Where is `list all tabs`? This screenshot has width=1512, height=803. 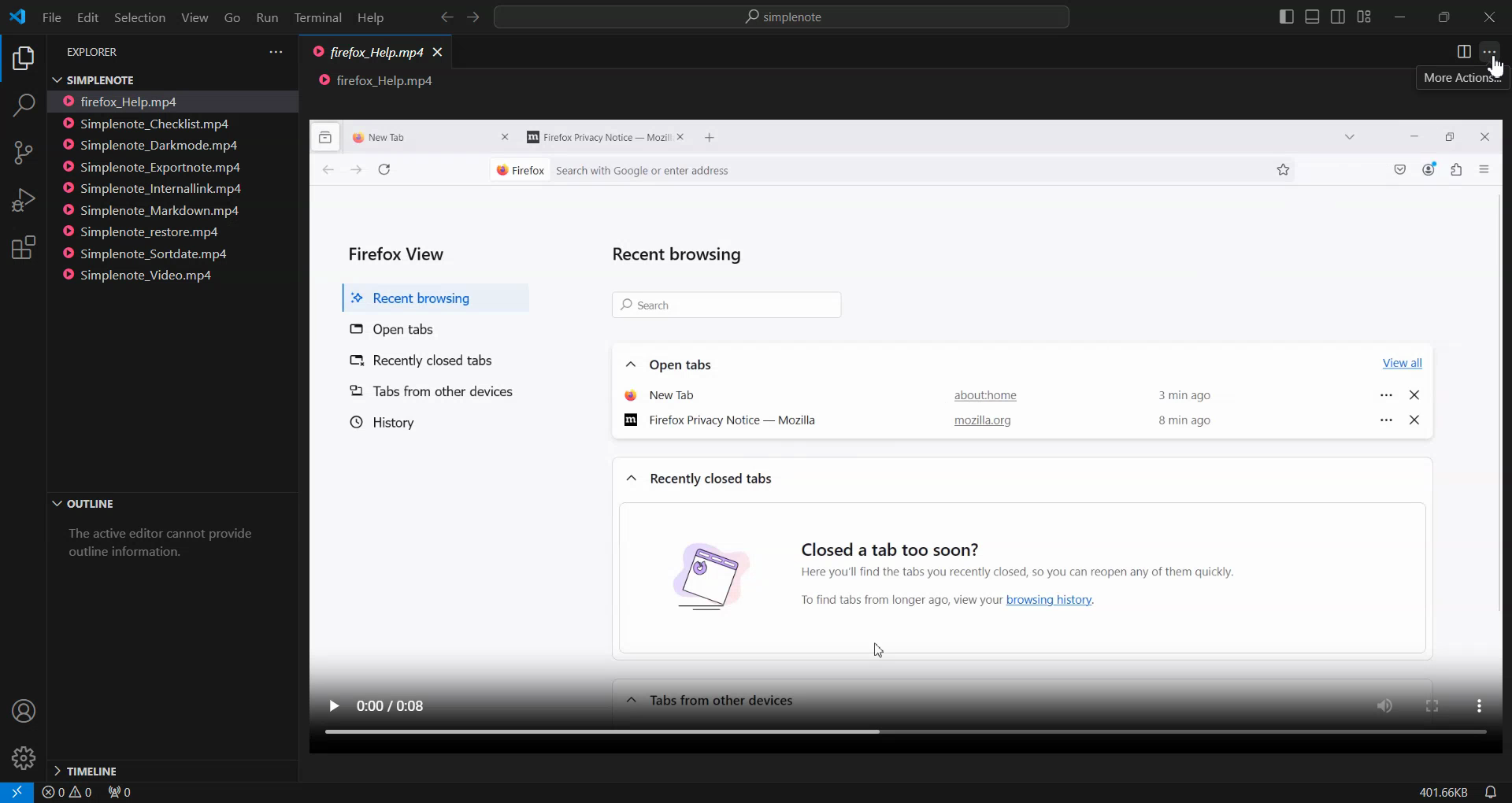
list all tabs is located at coordinates (1346, 138).